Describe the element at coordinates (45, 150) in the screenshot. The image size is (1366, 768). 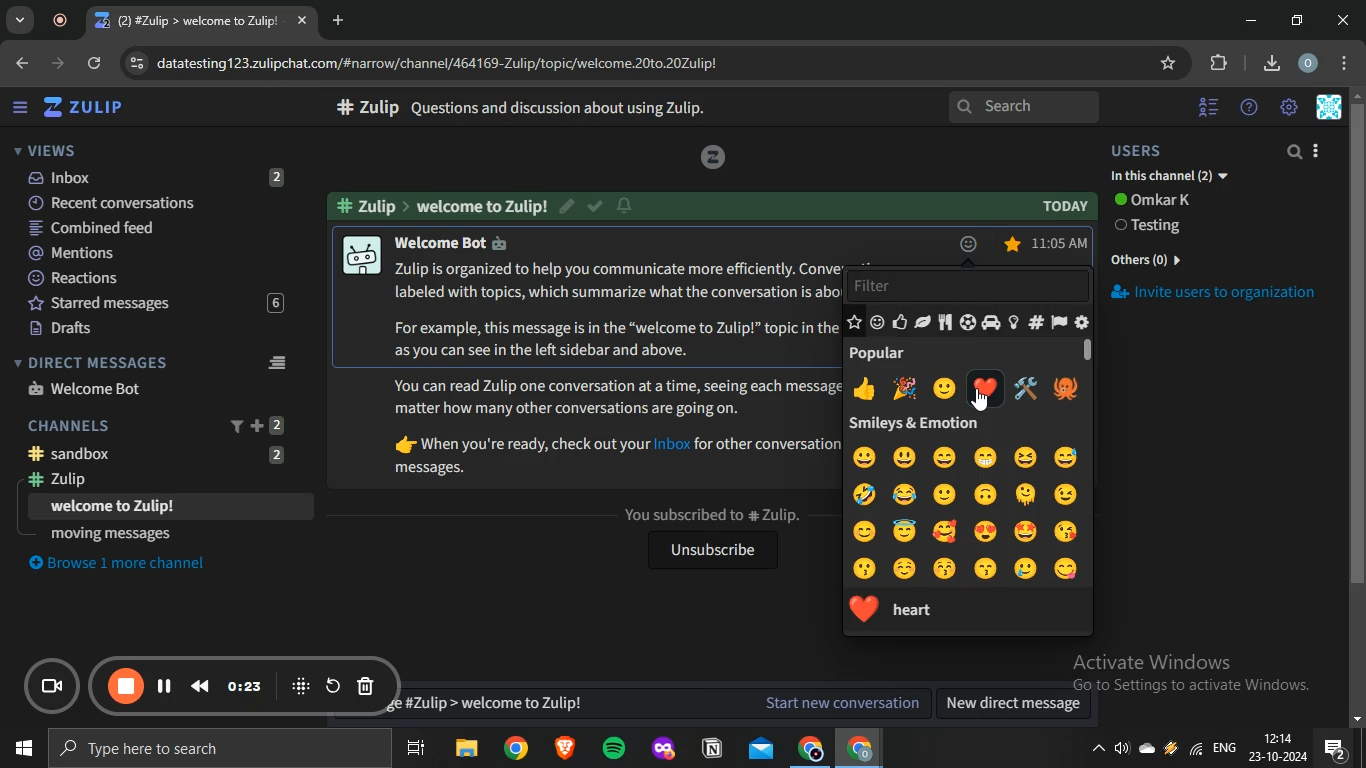
I see `views` at that location.